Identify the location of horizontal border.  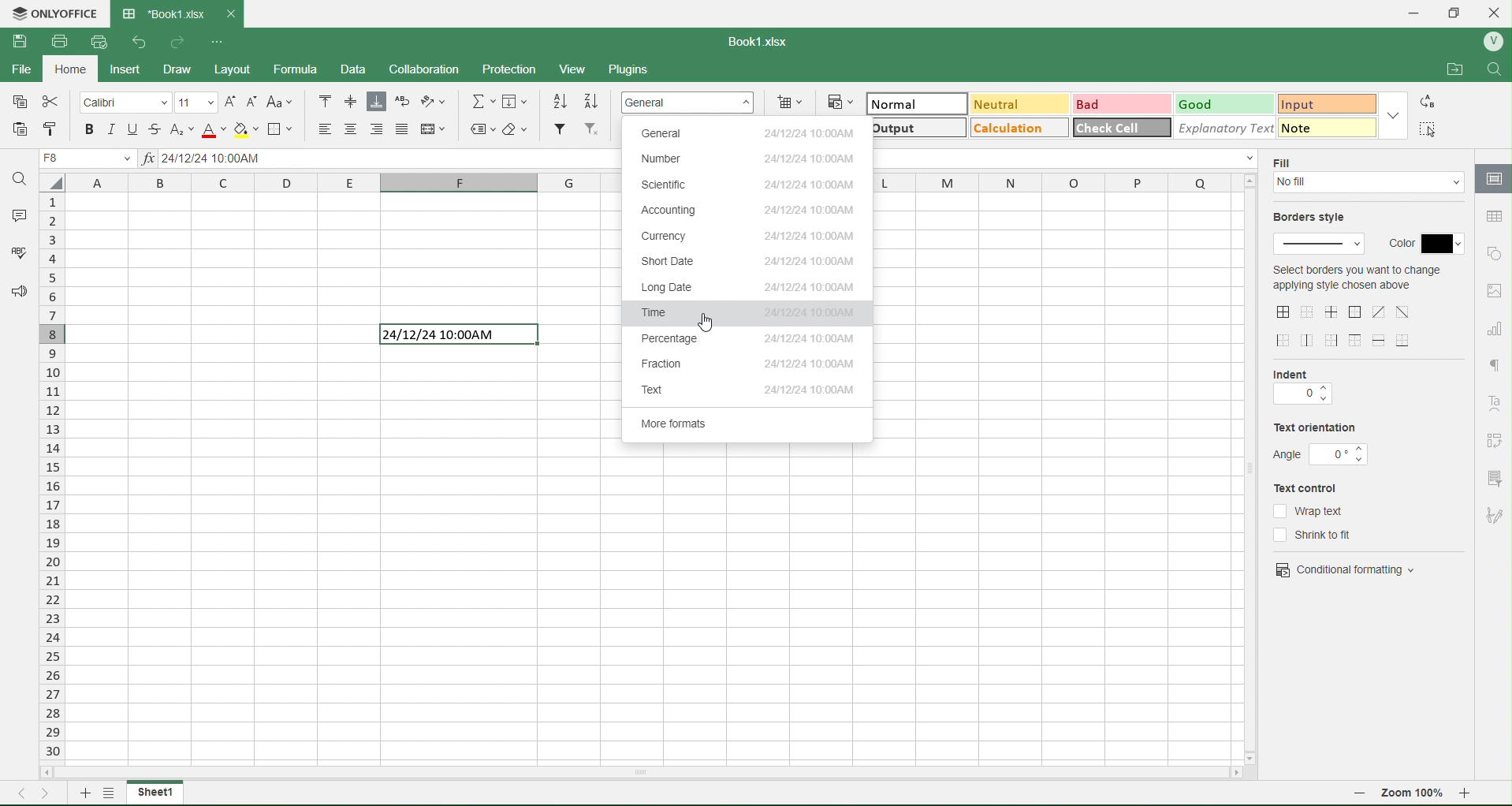
(1381, 341).